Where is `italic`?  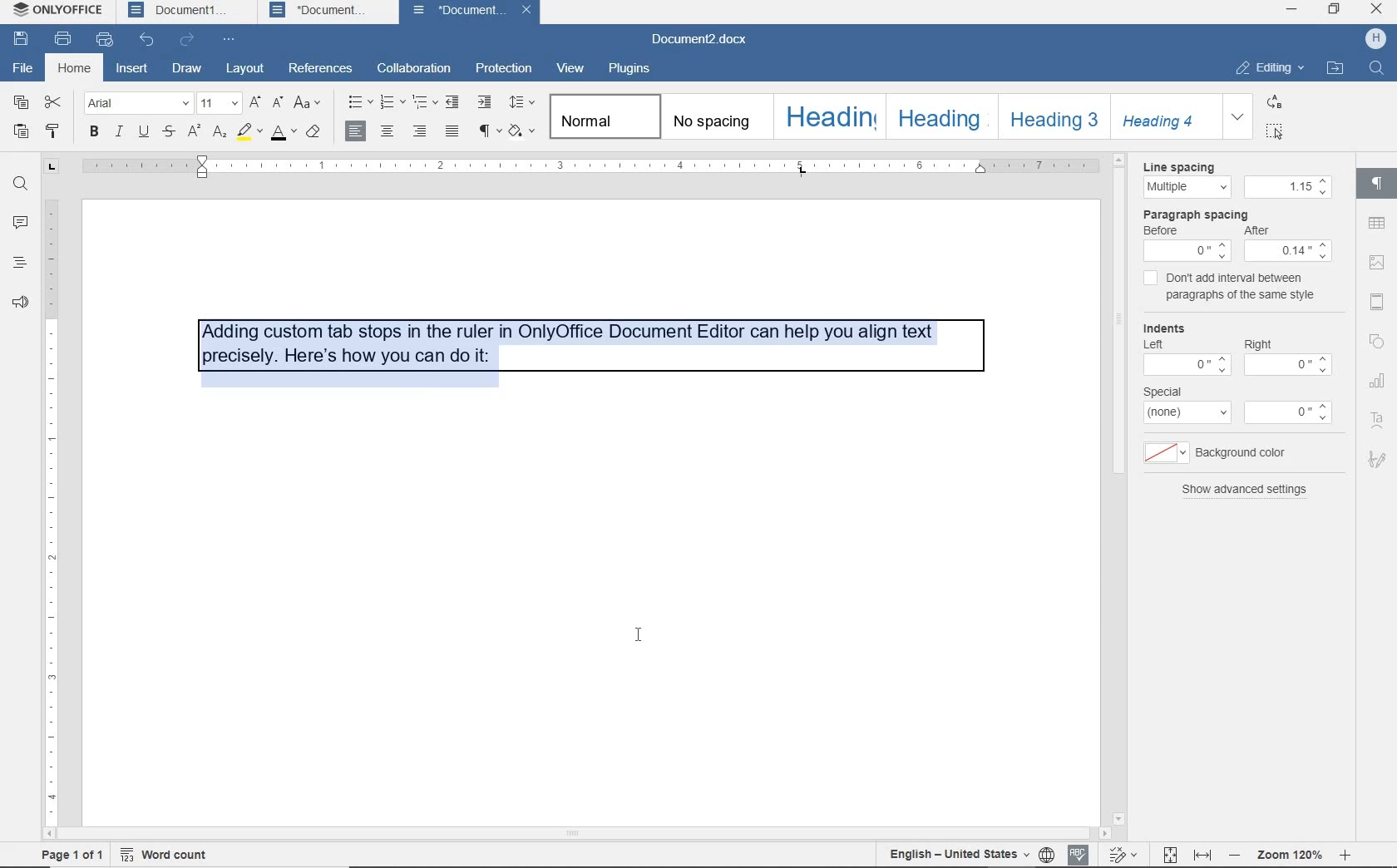 italic is located at coordinates (120, 133).